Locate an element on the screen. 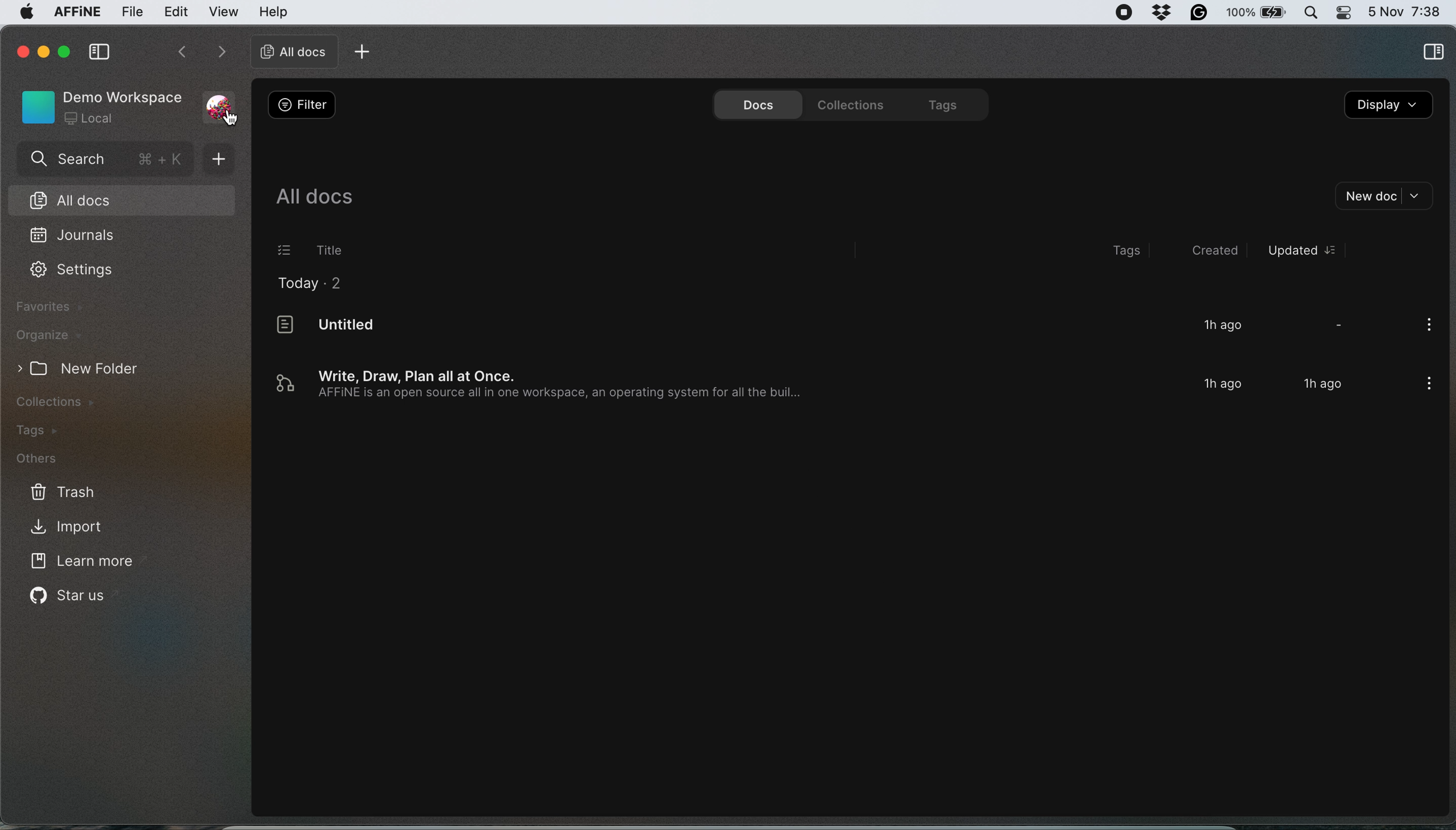  trash is located at coordinates (60, 491).